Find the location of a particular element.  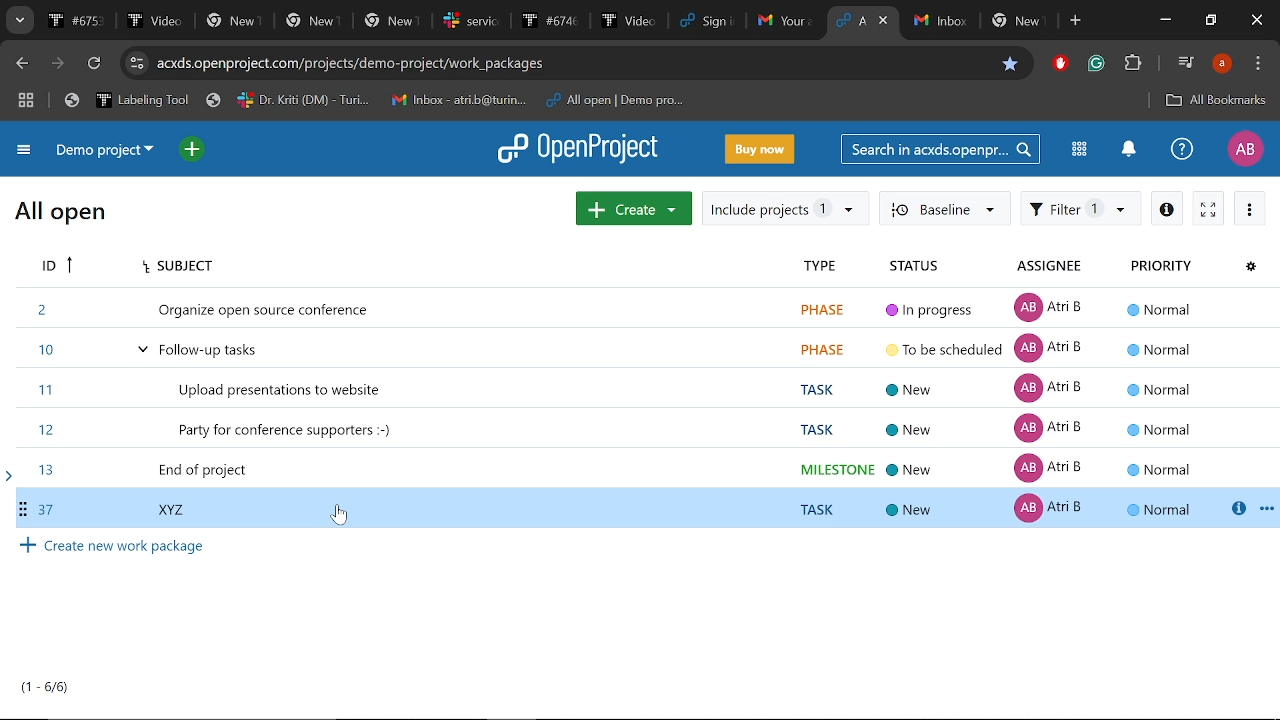

Buy now is located at coordinates (760, 148).